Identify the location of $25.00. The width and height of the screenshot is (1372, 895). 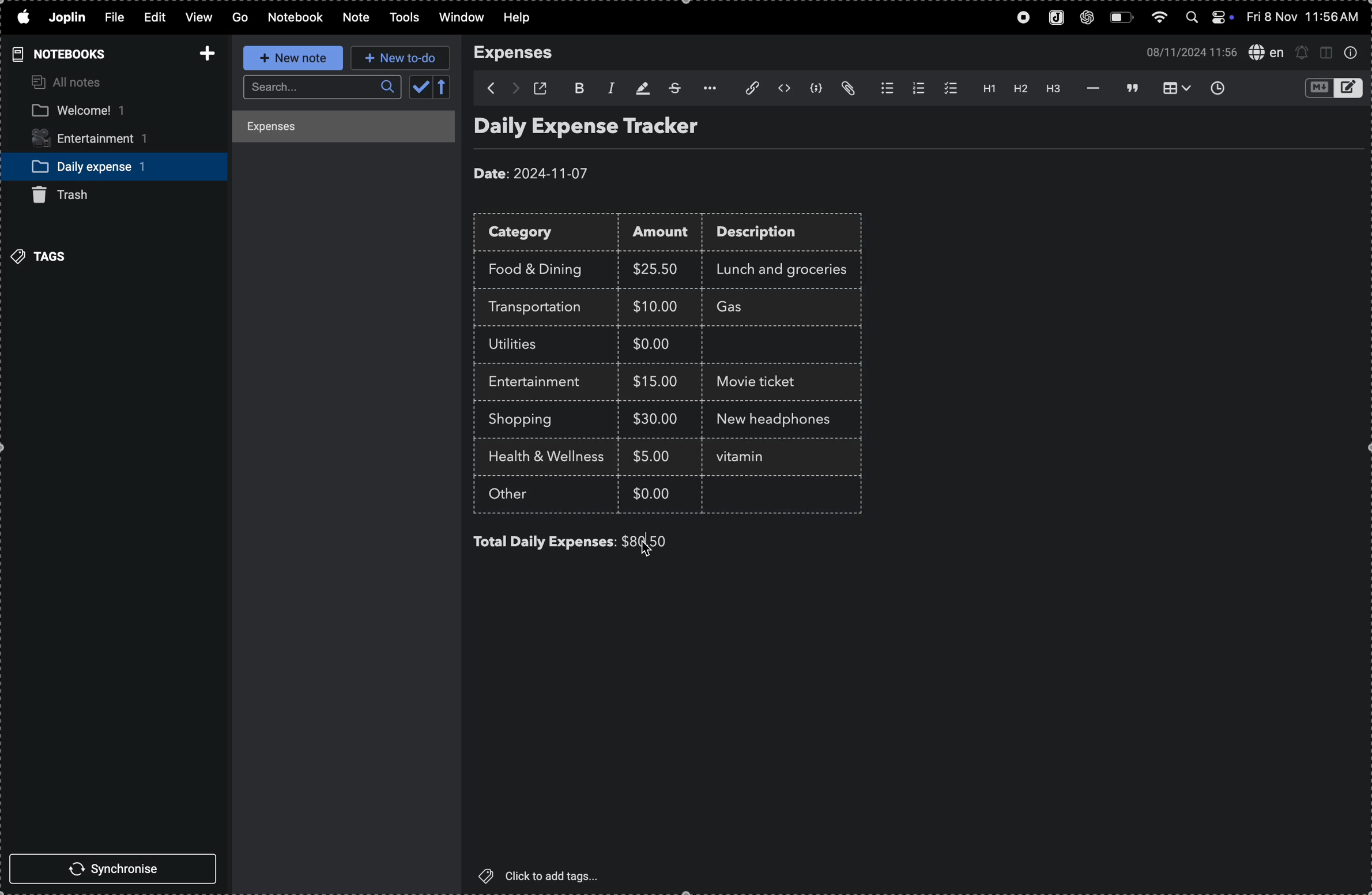
(659, 269).